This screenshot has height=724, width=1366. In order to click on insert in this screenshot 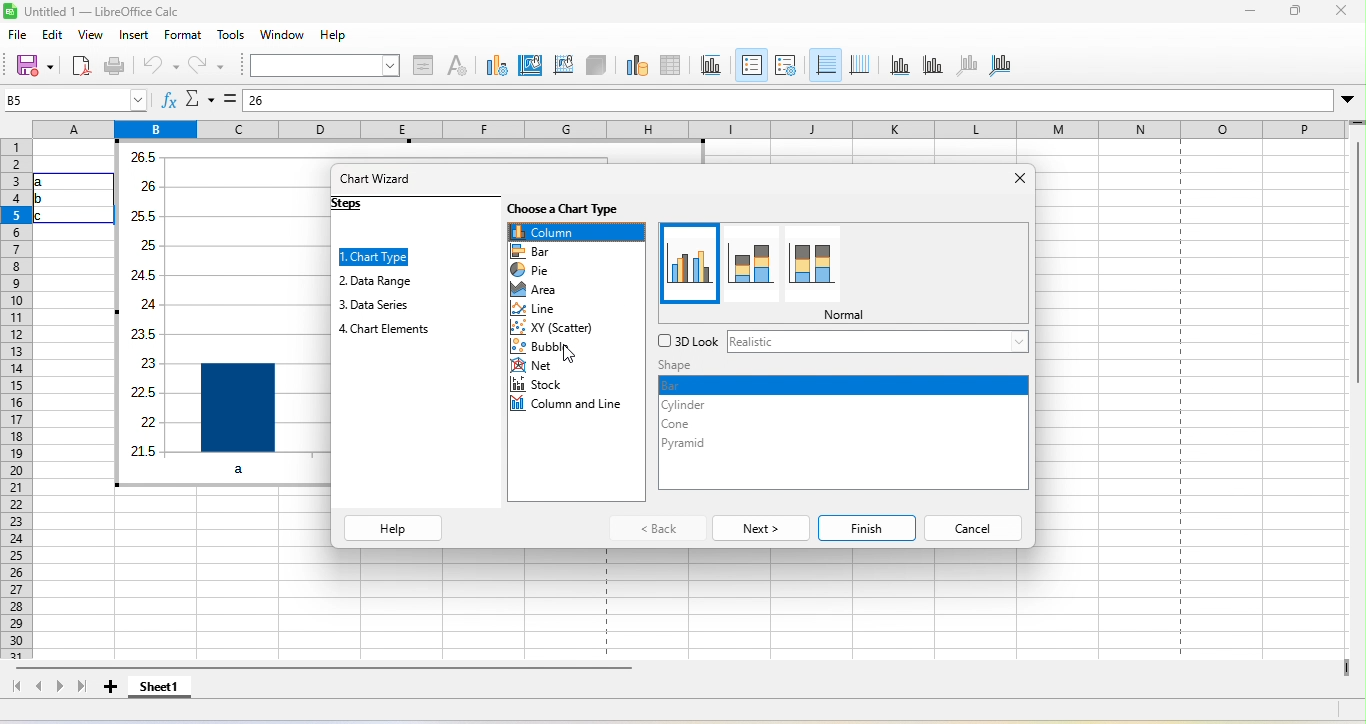, I will do `click(134, 36)`.